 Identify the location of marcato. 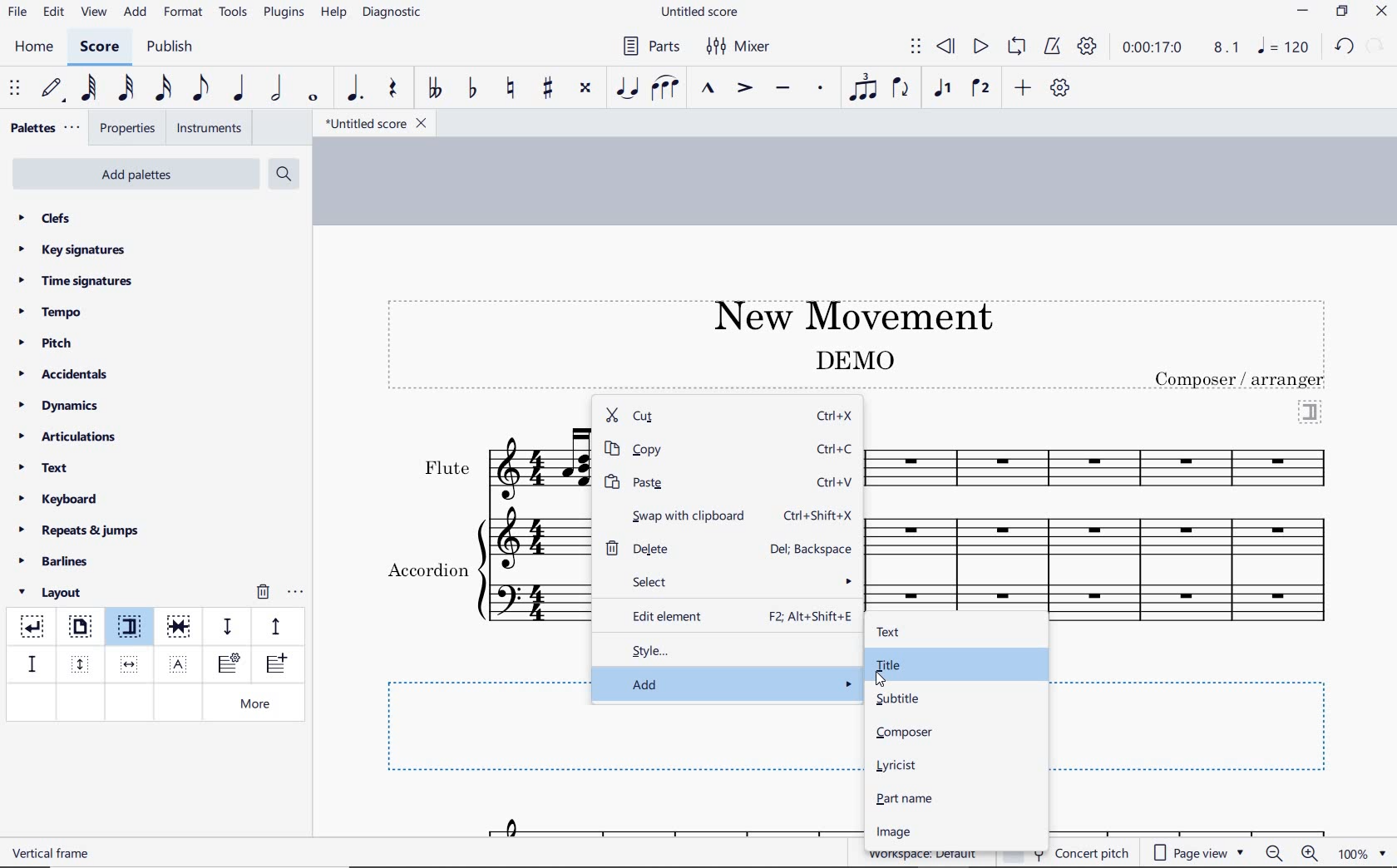
(710, 90).